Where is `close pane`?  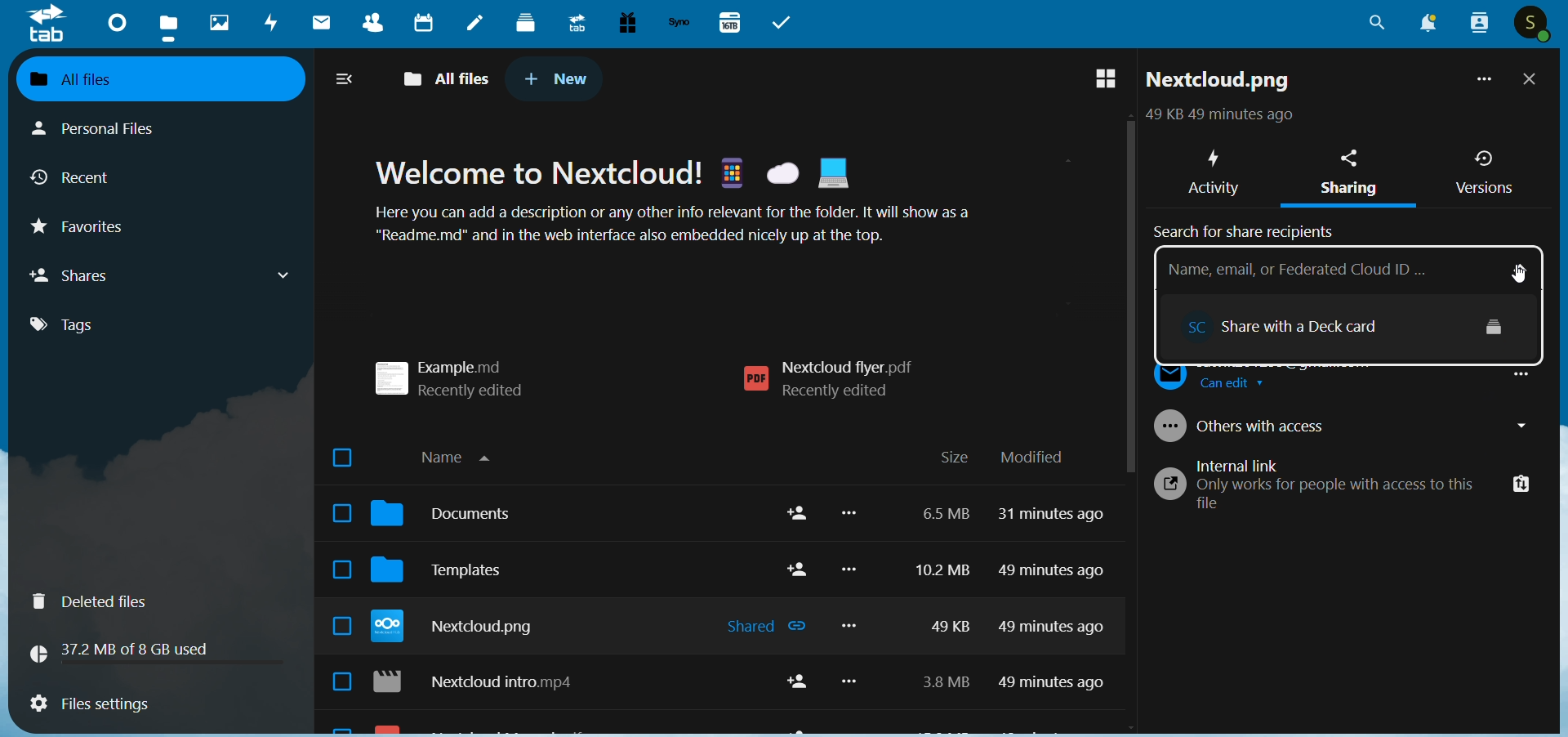 close pane is located at coordinates (1530, 81).